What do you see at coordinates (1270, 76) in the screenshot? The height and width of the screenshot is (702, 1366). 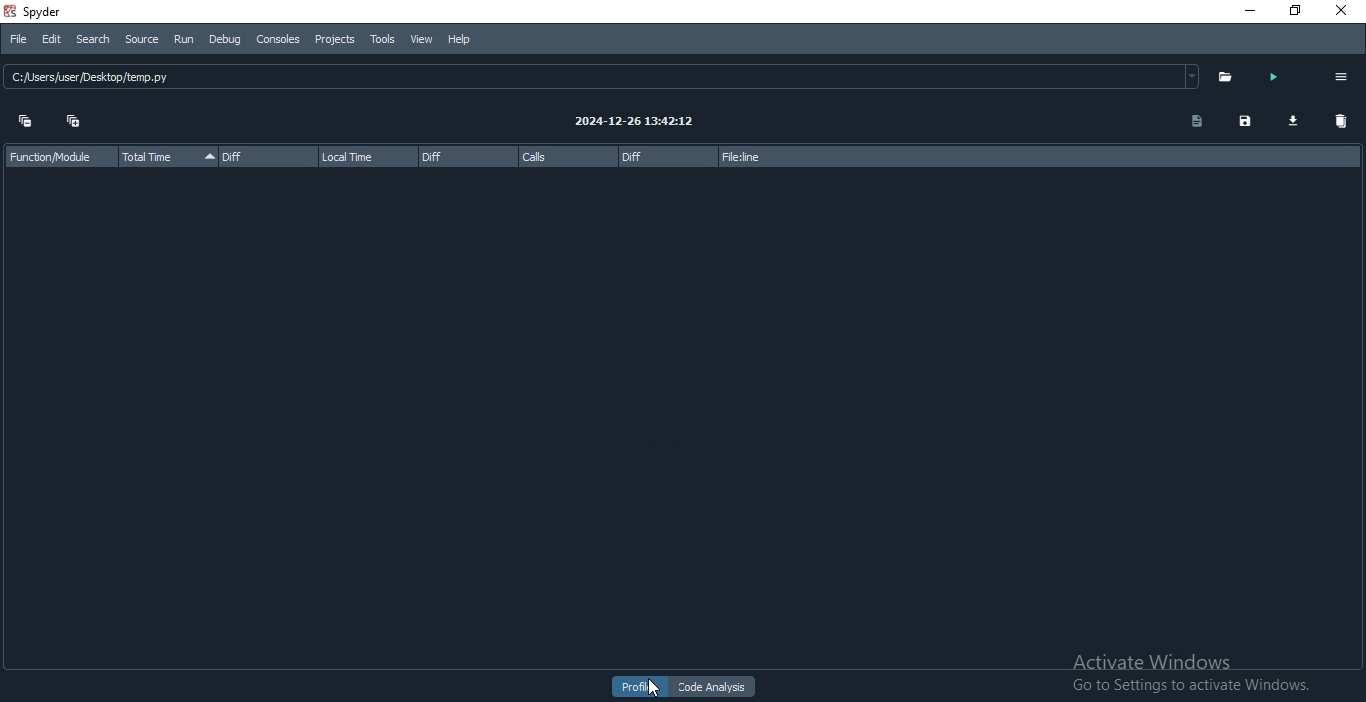 I see `run` at bounding box center [1270, 76].